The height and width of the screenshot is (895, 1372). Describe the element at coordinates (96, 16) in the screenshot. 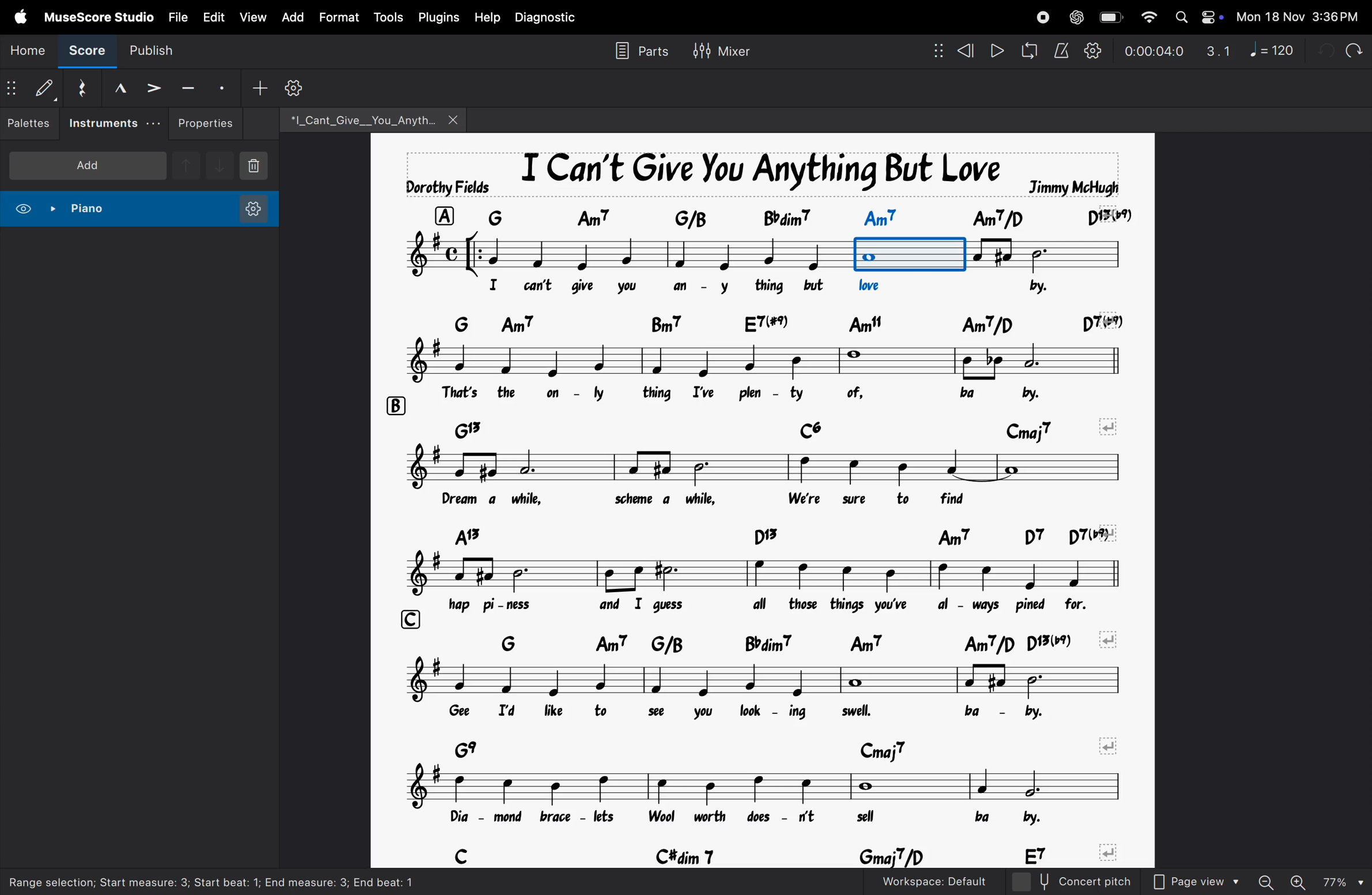

I see `musescore studio` at that location.